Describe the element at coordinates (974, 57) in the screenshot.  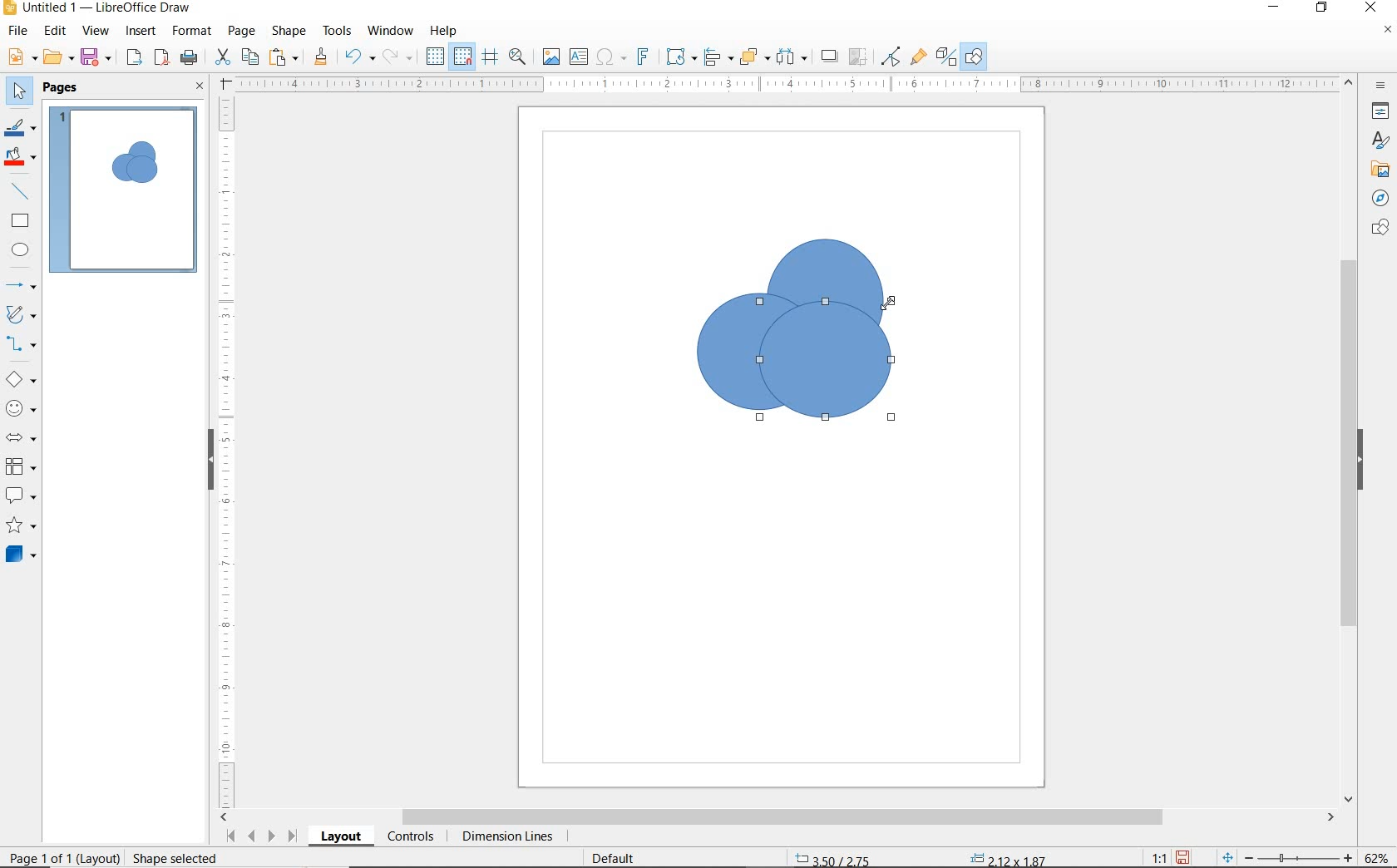
I see `SHOW DRAW FUNCTONS` at that location.